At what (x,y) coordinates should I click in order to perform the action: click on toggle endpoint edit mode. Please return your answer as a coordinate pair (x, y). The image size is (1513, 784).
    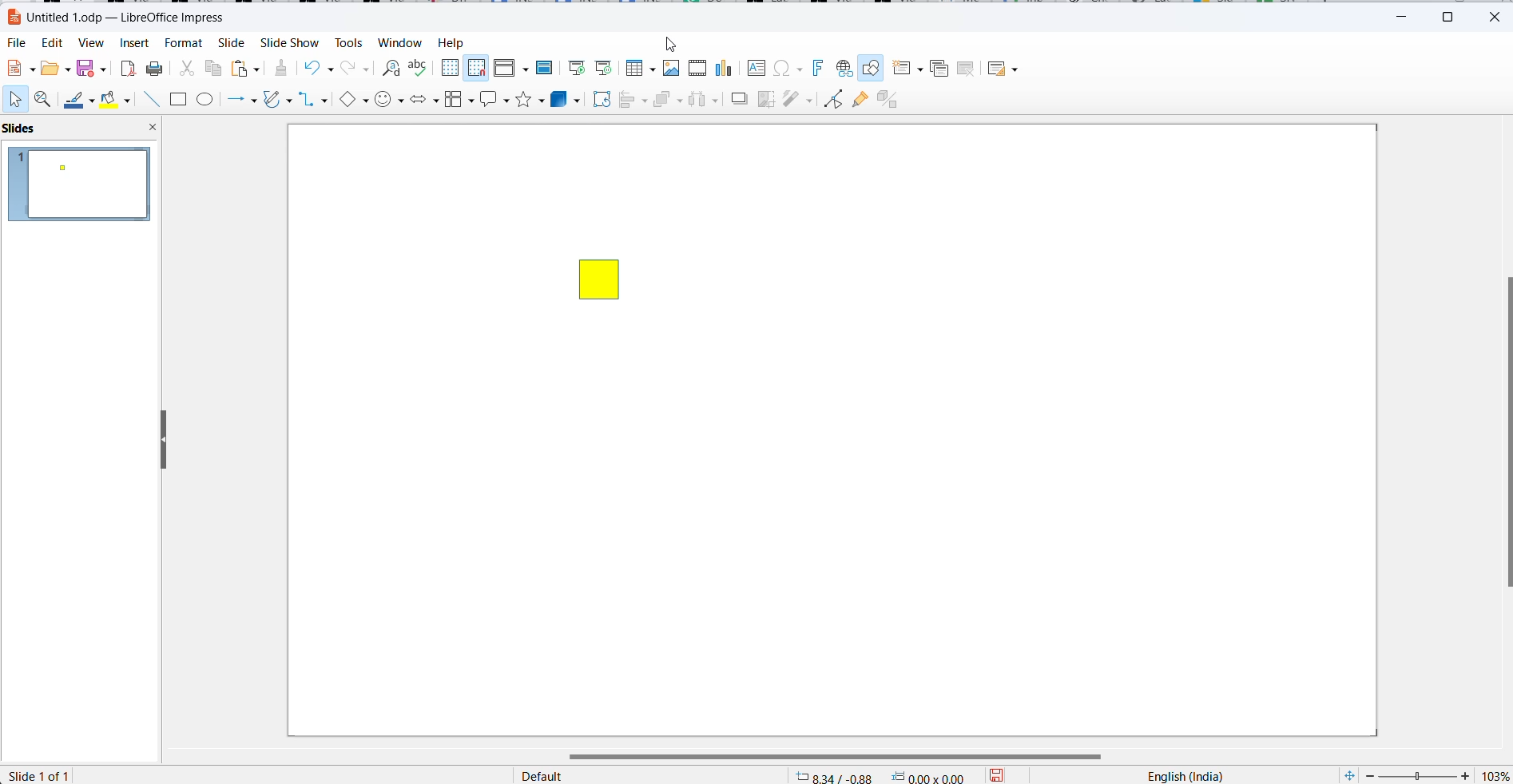
    Looking at the image, I should click on (831, 98).